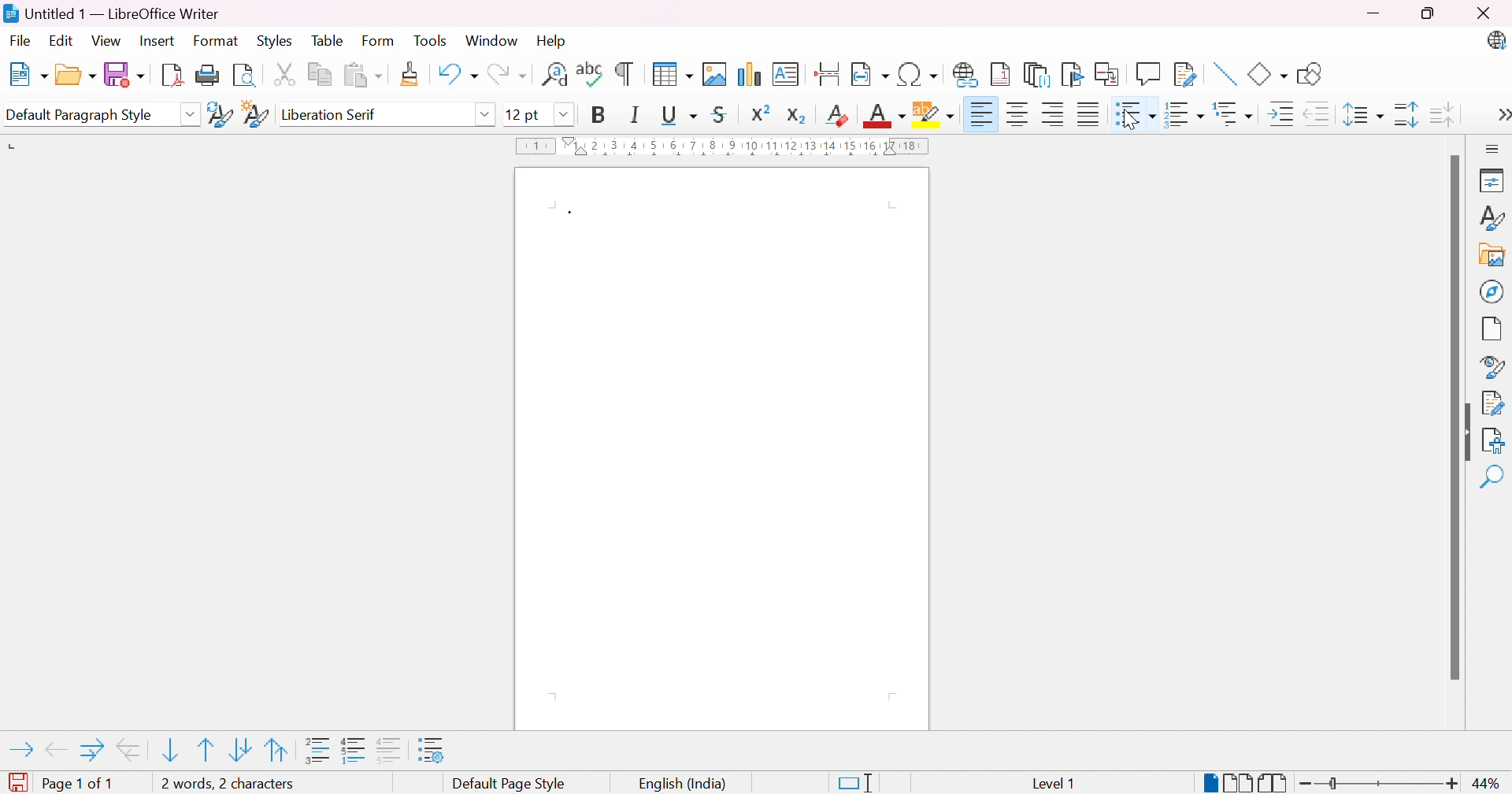  I want to click on Insert bookmark, so click(1071, 75).